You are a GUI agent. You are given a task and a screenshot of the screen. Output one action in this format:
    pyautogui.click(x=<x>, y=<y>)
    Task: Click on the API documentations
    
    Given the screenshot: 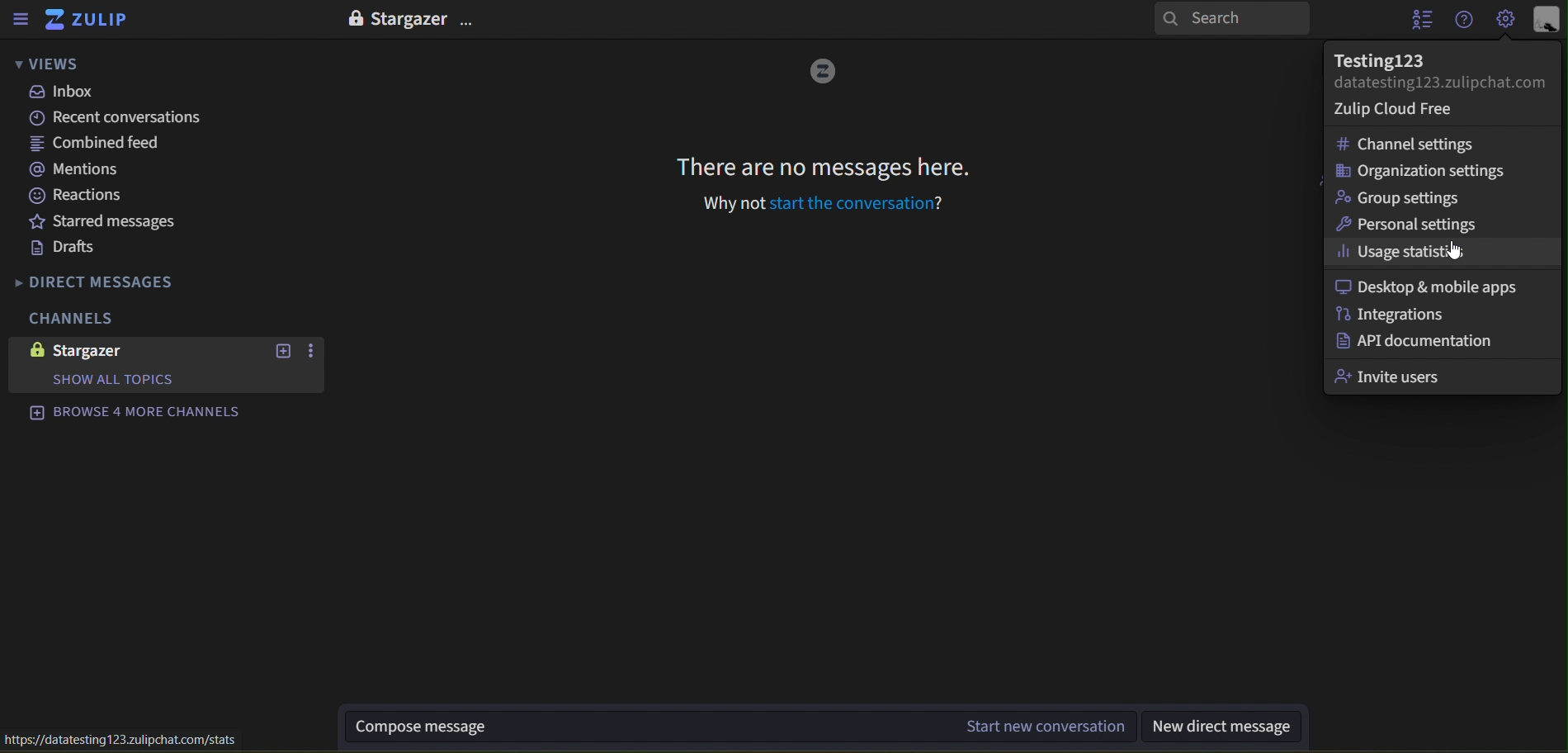 What is the action you would take?
    pyautogui.click(x=1415, y=340)
    